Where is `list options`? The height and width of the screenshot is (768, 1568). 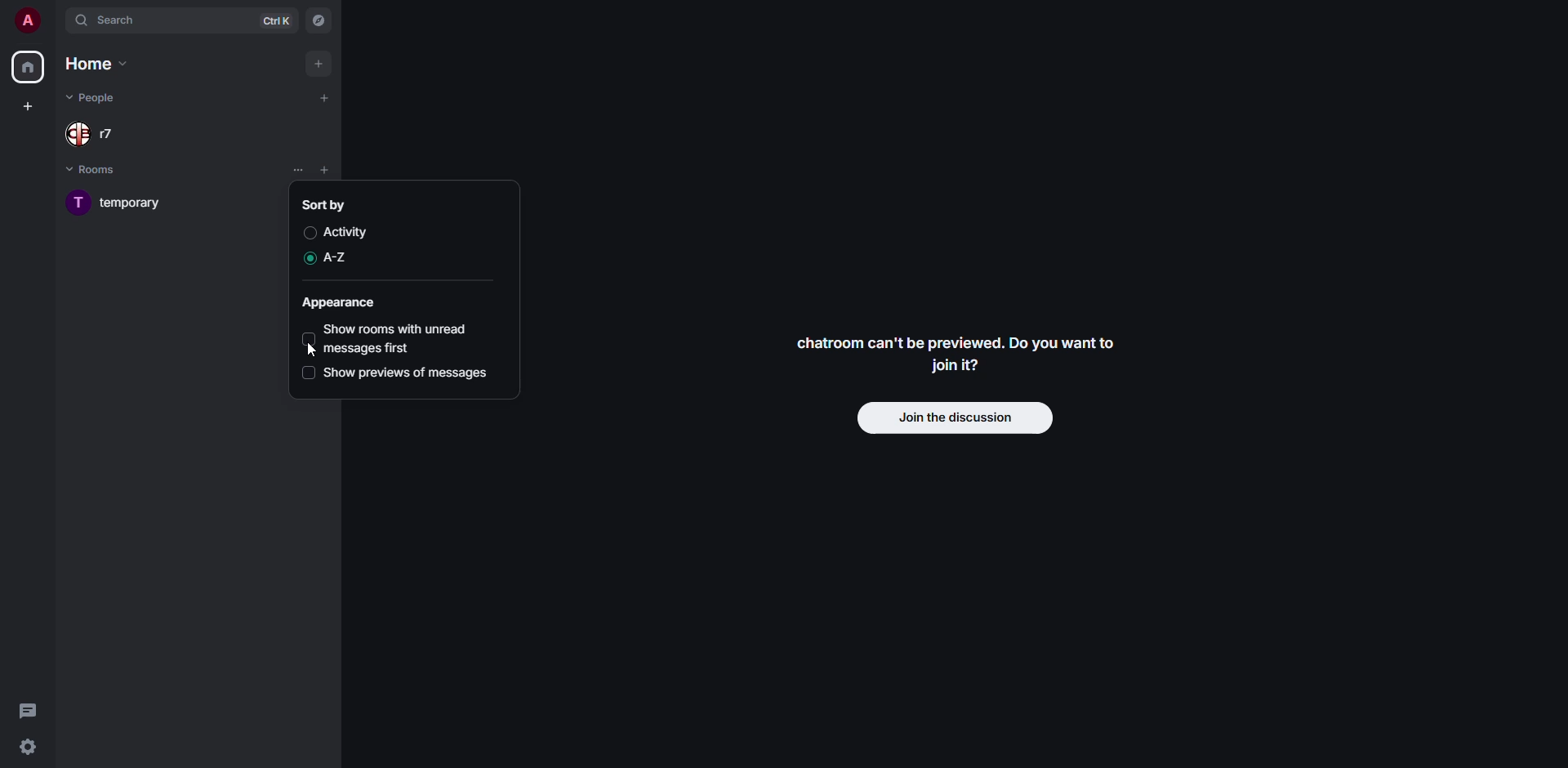 list options is located at coordinates (300, 169).